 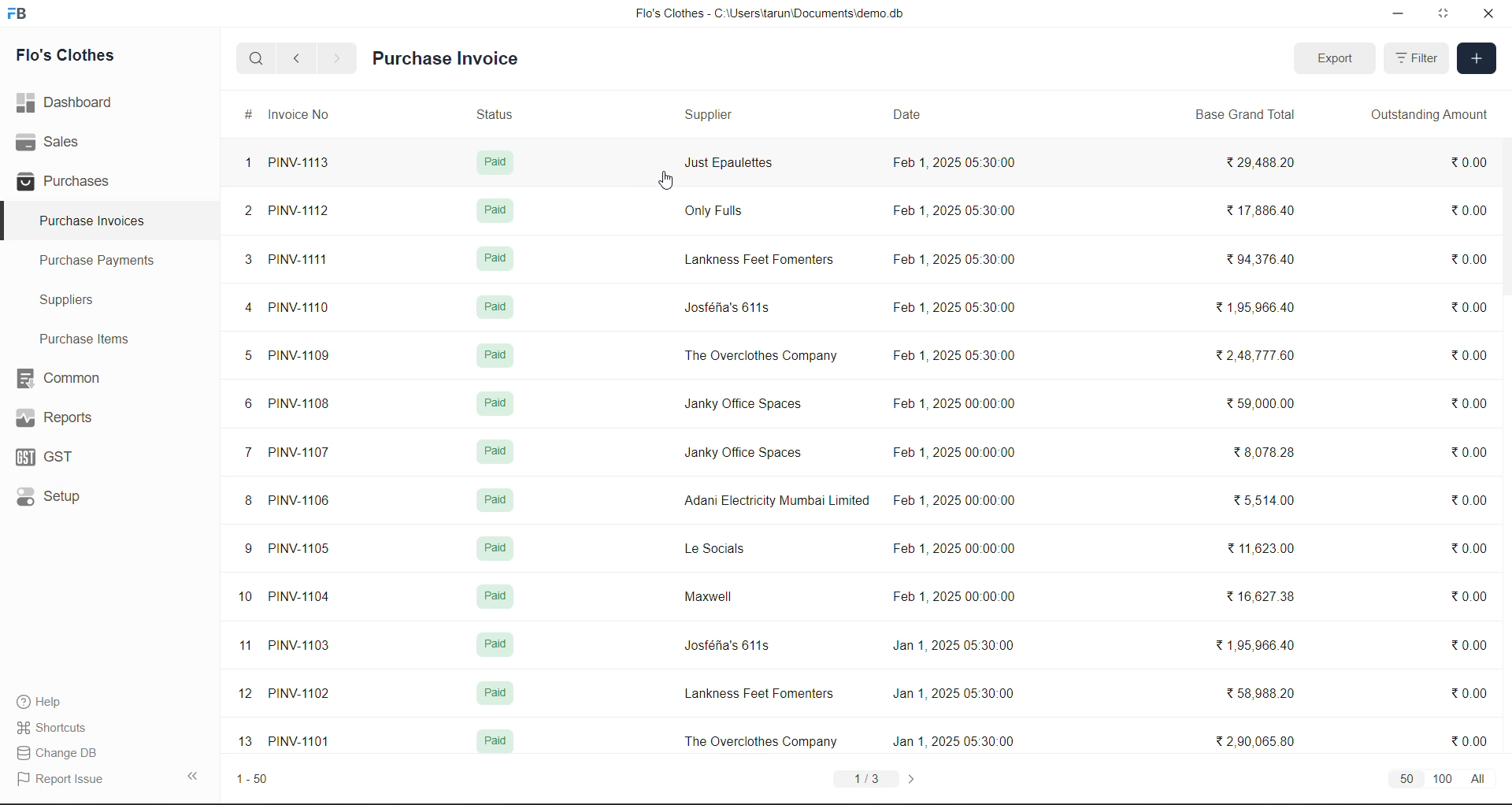 What do you see at coordinates (718, 212) in the screenshot?
I see `Only Fulls` at bounding box center [718, 212].